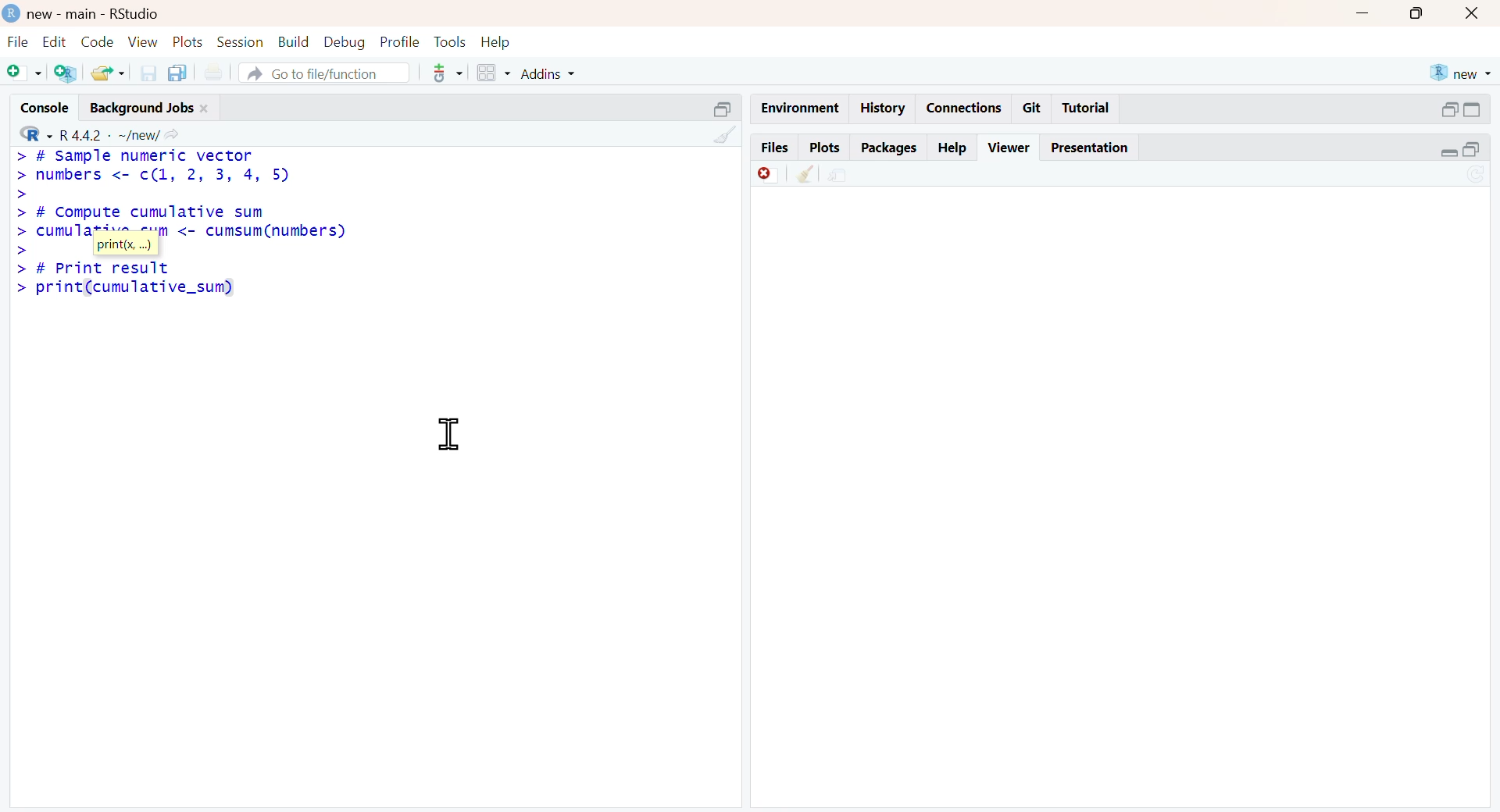  I want to click on debug, so click(346, 41).